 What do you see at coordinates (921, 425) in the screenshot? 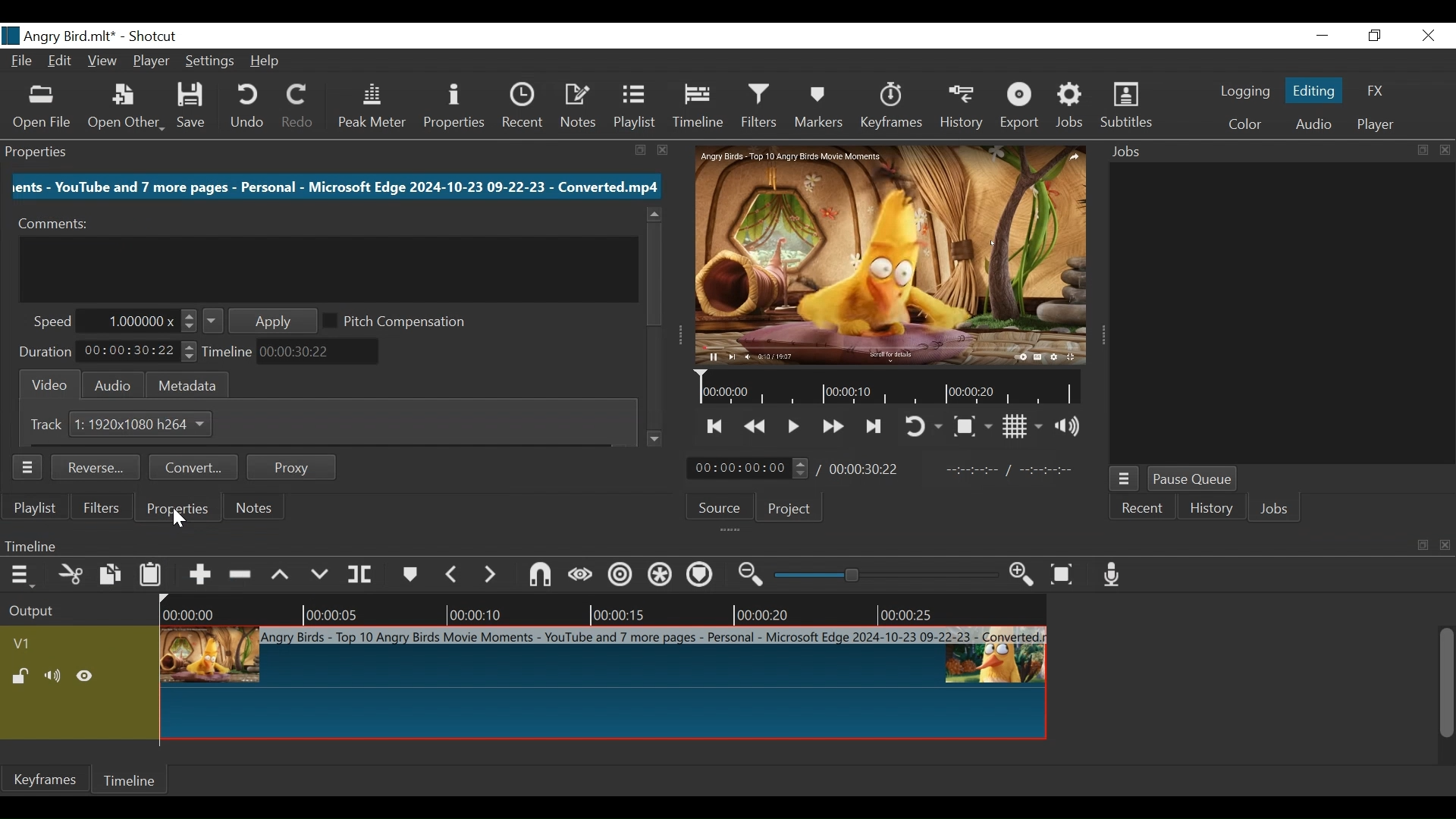
I see `Toggle player looping` at bounding box center [921, 425].